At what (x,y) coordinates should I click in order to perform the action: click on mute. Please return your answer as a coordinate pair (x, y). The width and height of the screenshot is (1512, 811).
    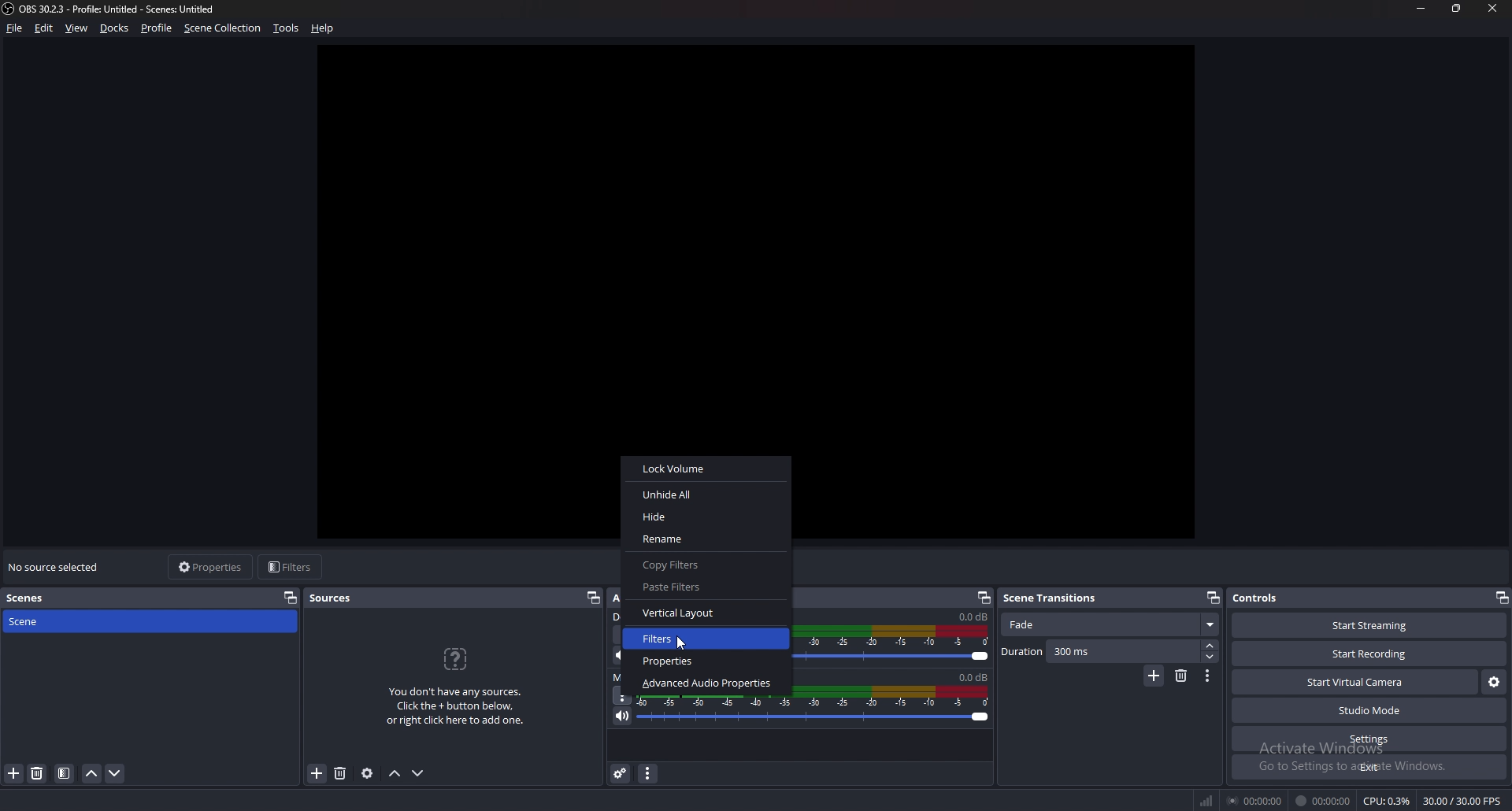
    Looking at the image, I should click on (622, 717).